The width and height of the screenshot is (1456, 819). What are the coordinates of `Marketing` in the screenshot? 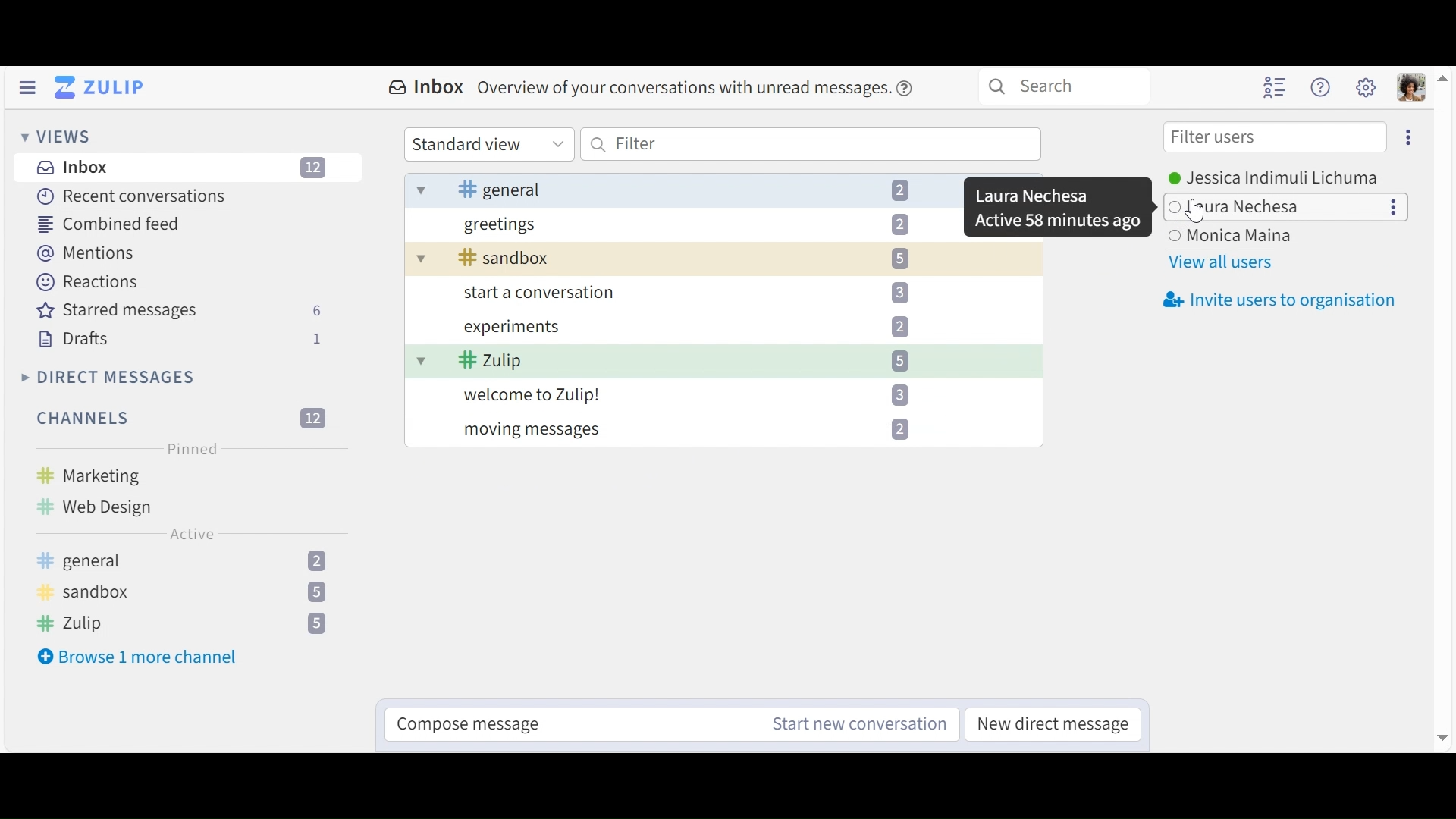 It's located at (96, 475).